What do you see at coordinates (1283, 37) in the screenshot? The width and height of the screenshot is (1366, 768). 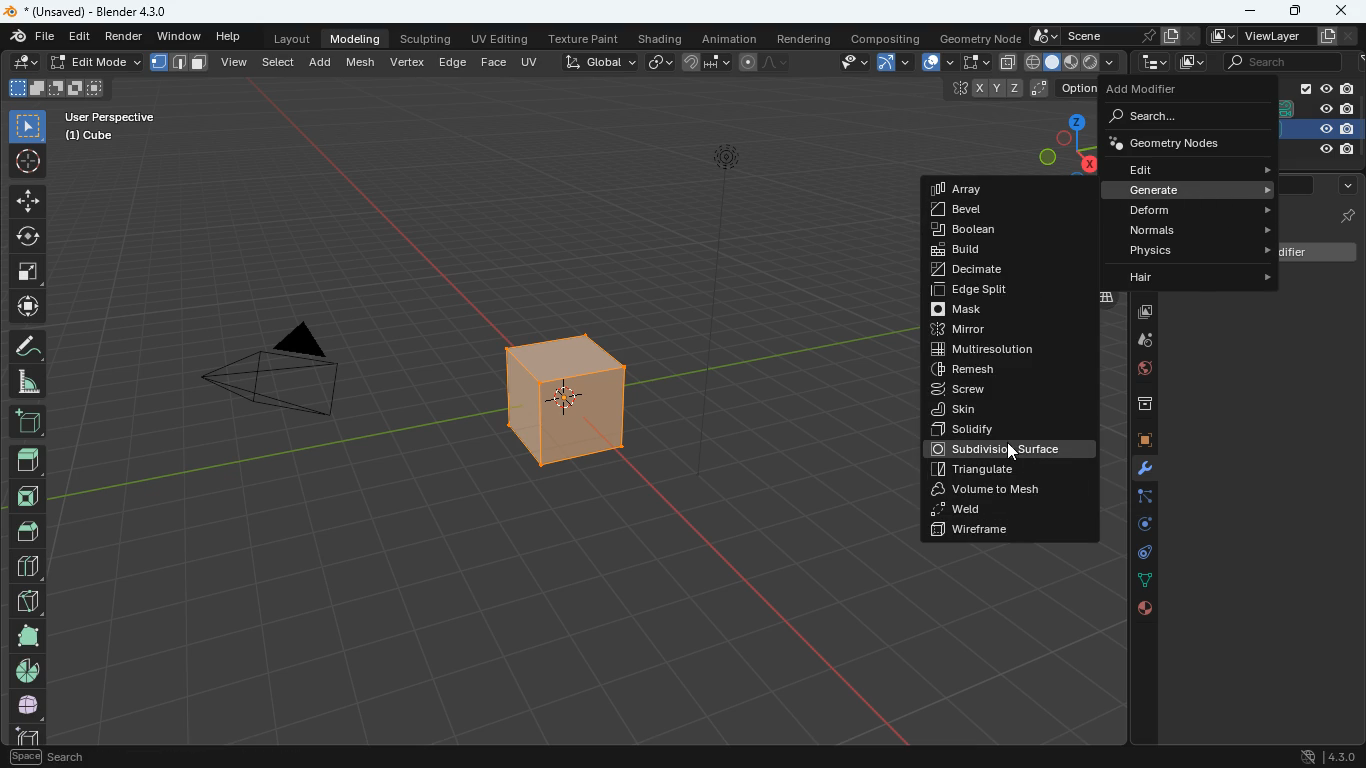 I see `viewlayer` at bounding box center [1283, 37].